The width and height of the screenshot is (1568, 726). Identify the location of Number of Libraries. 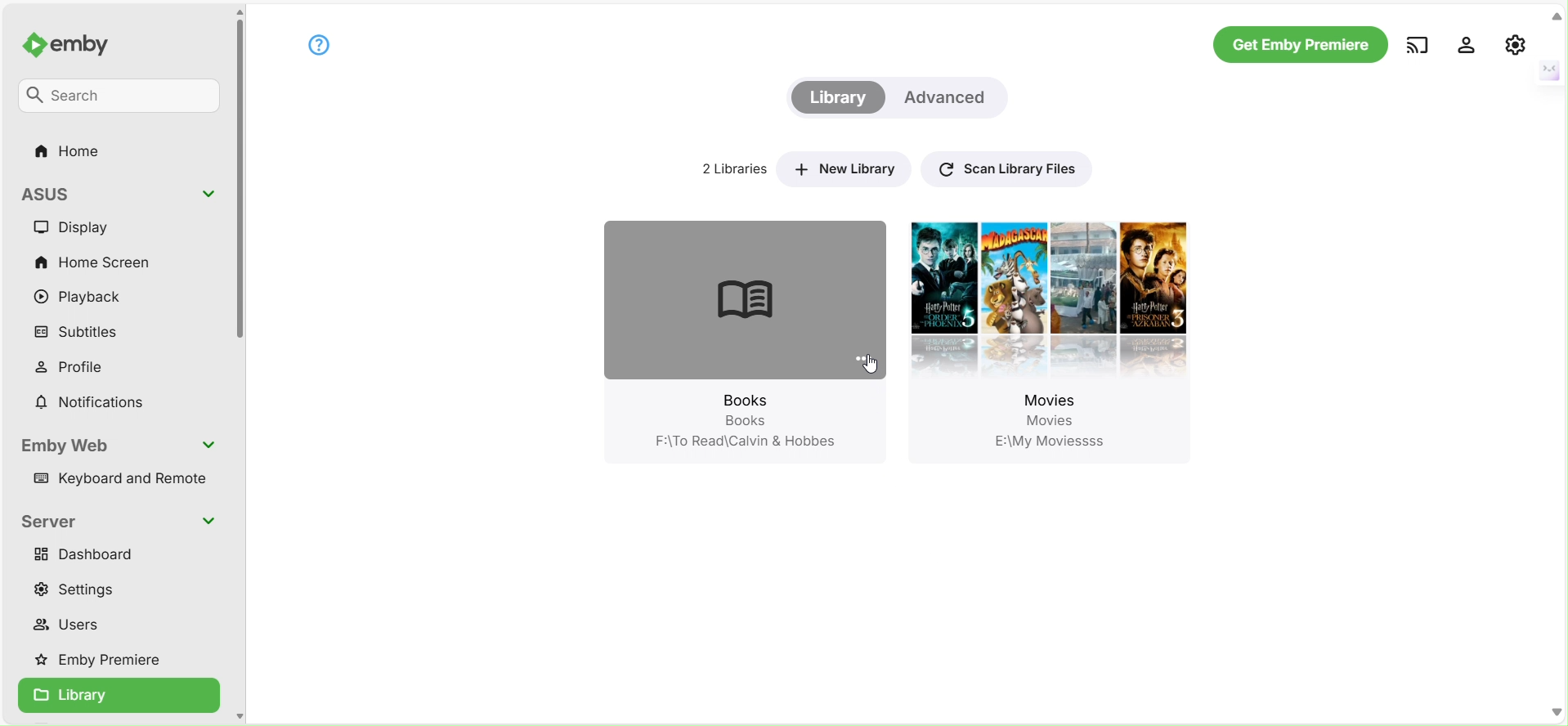
(728, 168).